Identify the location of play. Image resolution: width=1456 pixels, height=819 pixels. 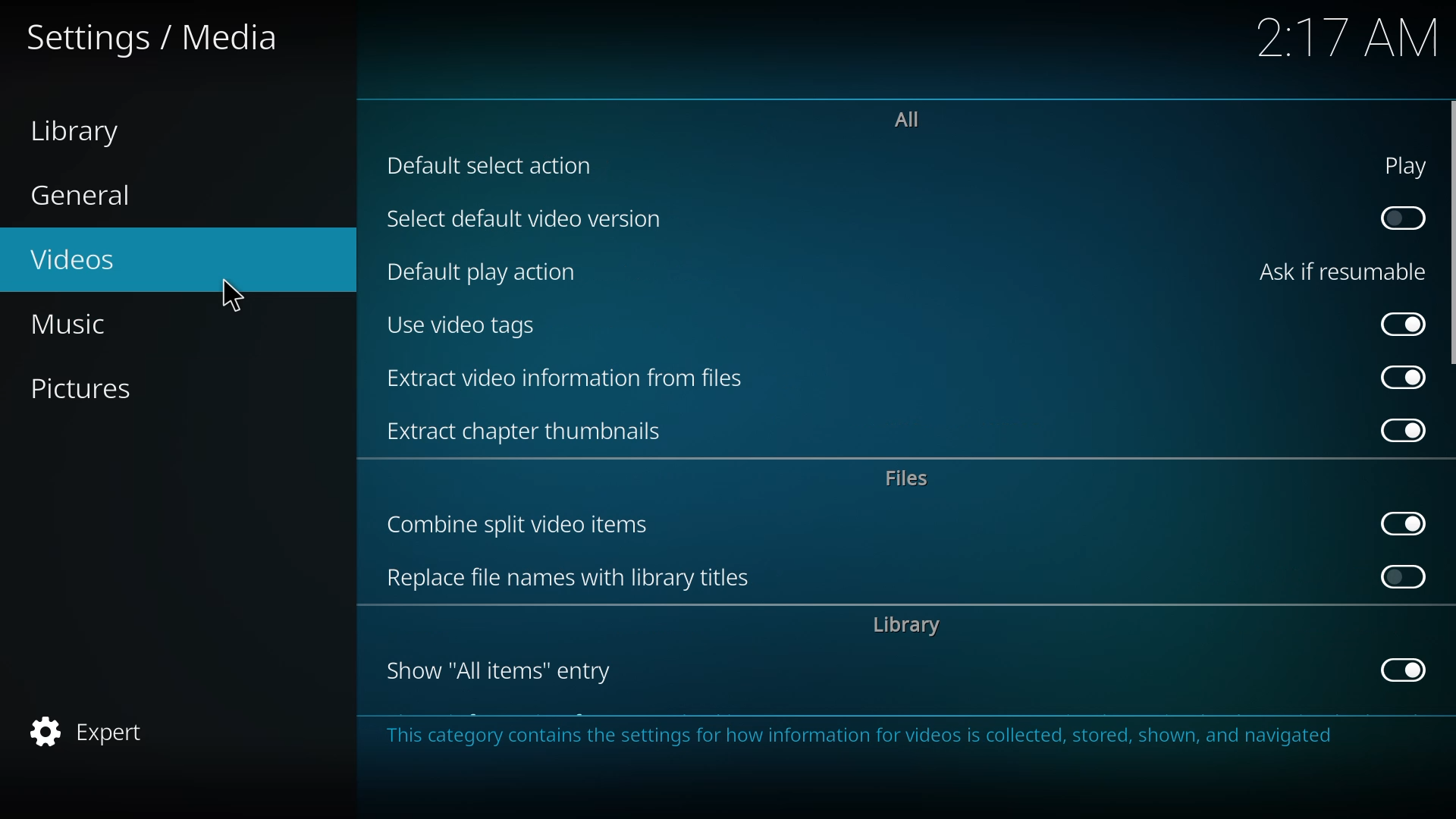
(1398, 165).